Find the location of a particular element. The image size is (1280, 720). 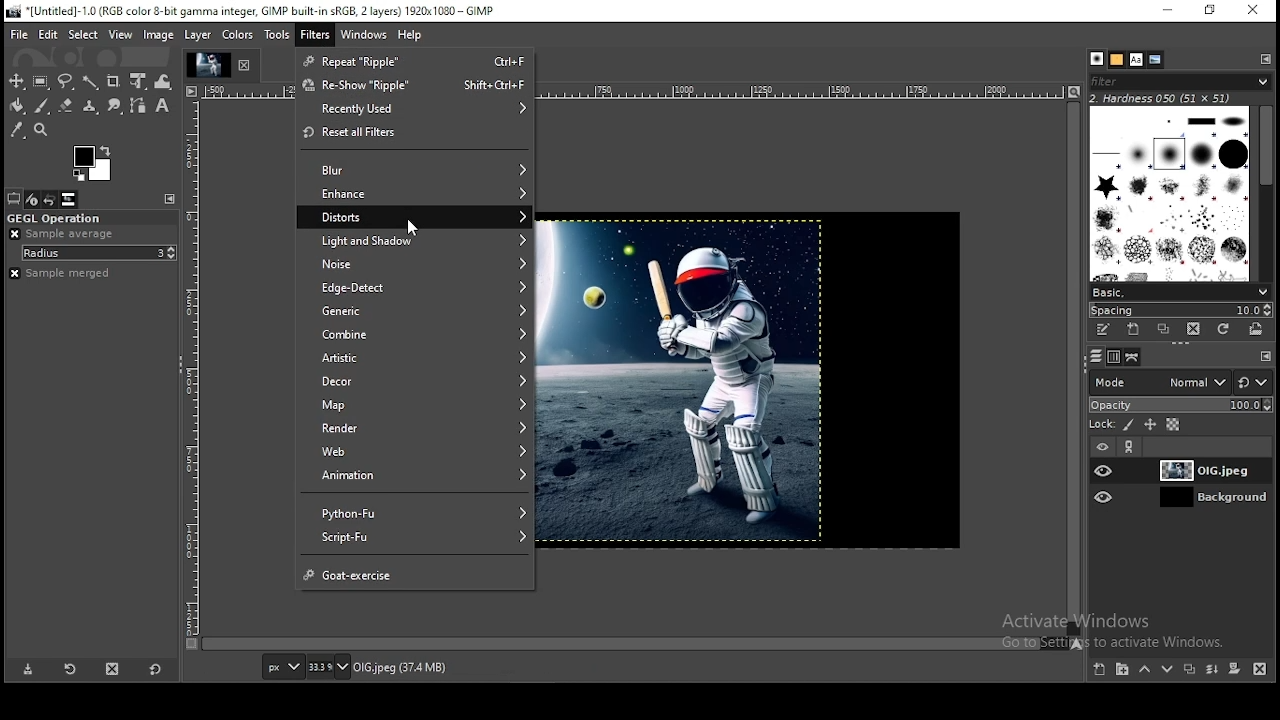

add a mask that allows non-destructive editing of transperancy is located at coordinates (1236, 669).